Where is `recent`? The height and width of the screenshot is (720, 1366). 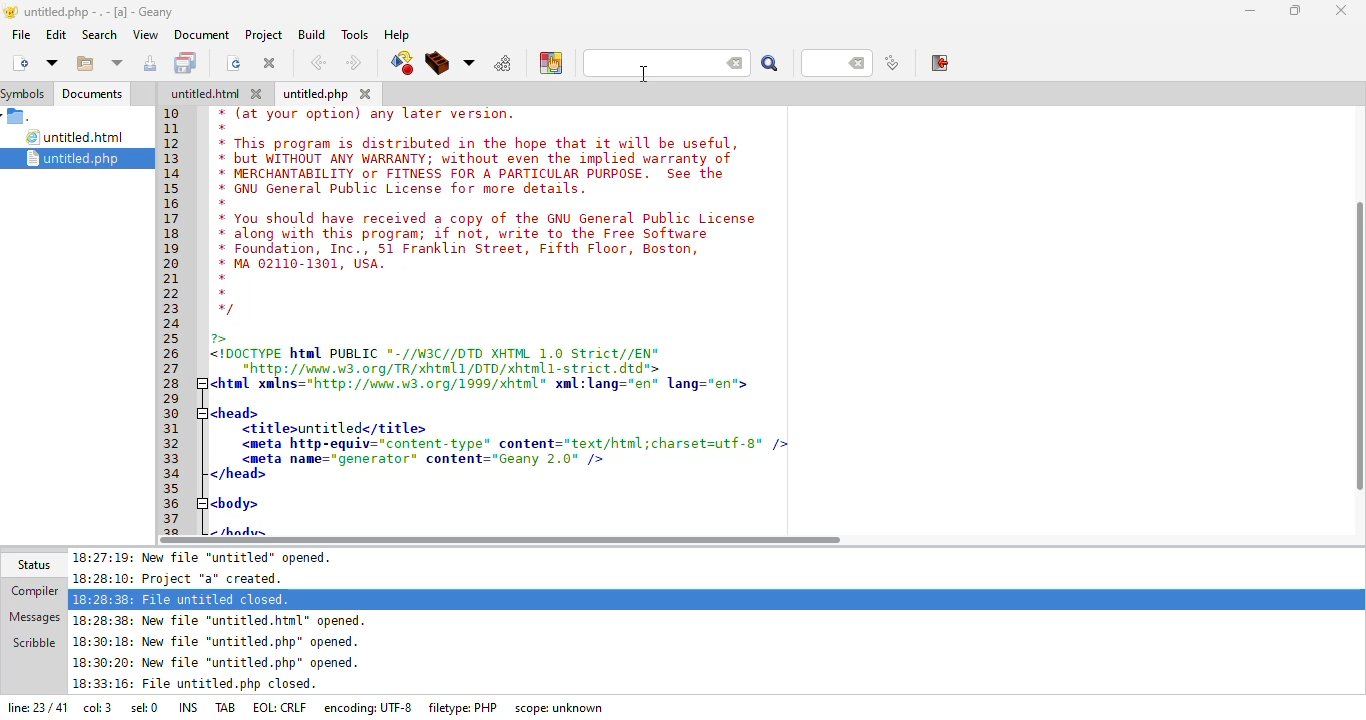 recent is located at coordinates (118, 64).